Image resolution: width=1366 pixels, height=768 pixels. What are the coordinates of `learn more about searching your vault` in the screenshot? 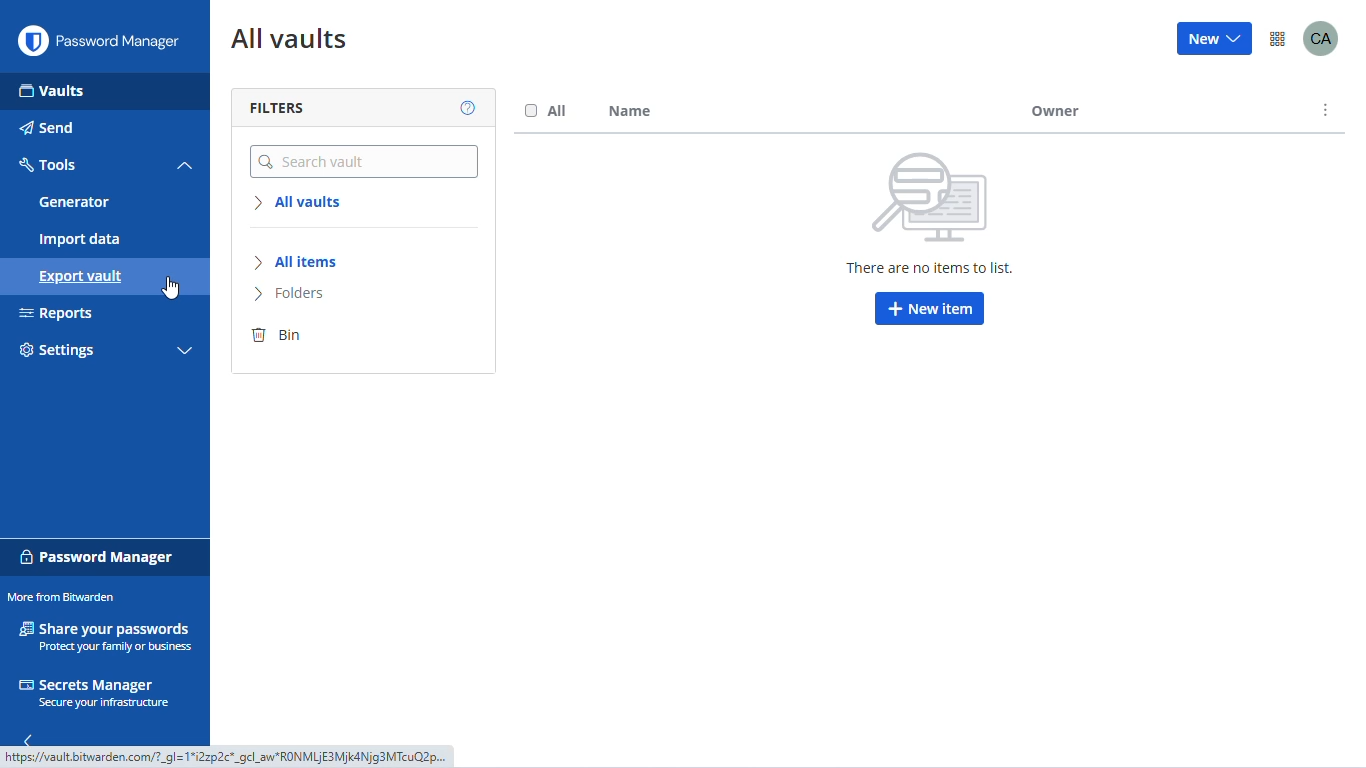 It's located at (469, 108).